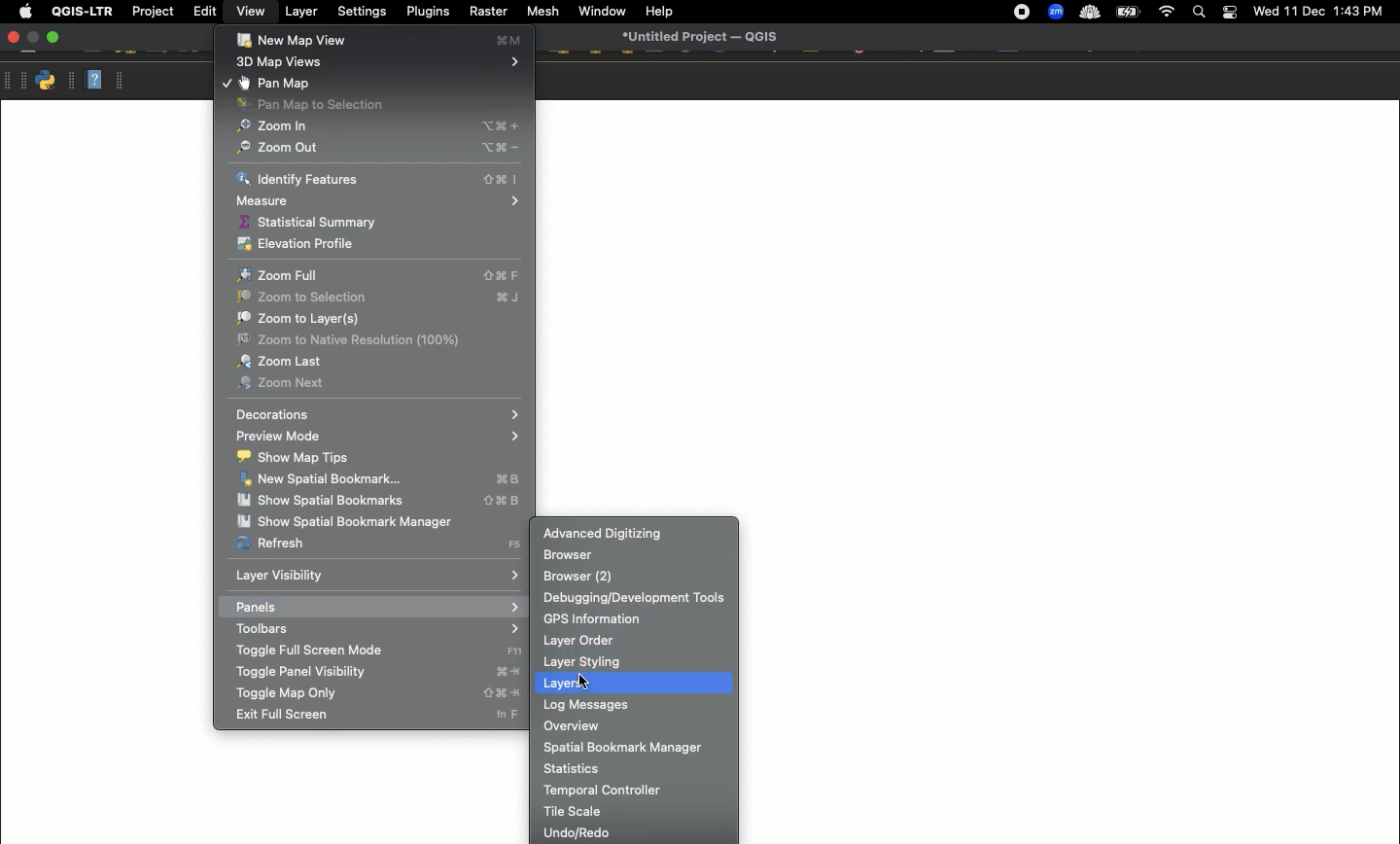 The image size is (1400, 844). Describe the element at coordinates (581, 681) in the screenshot. I see `Cursor` at that location.